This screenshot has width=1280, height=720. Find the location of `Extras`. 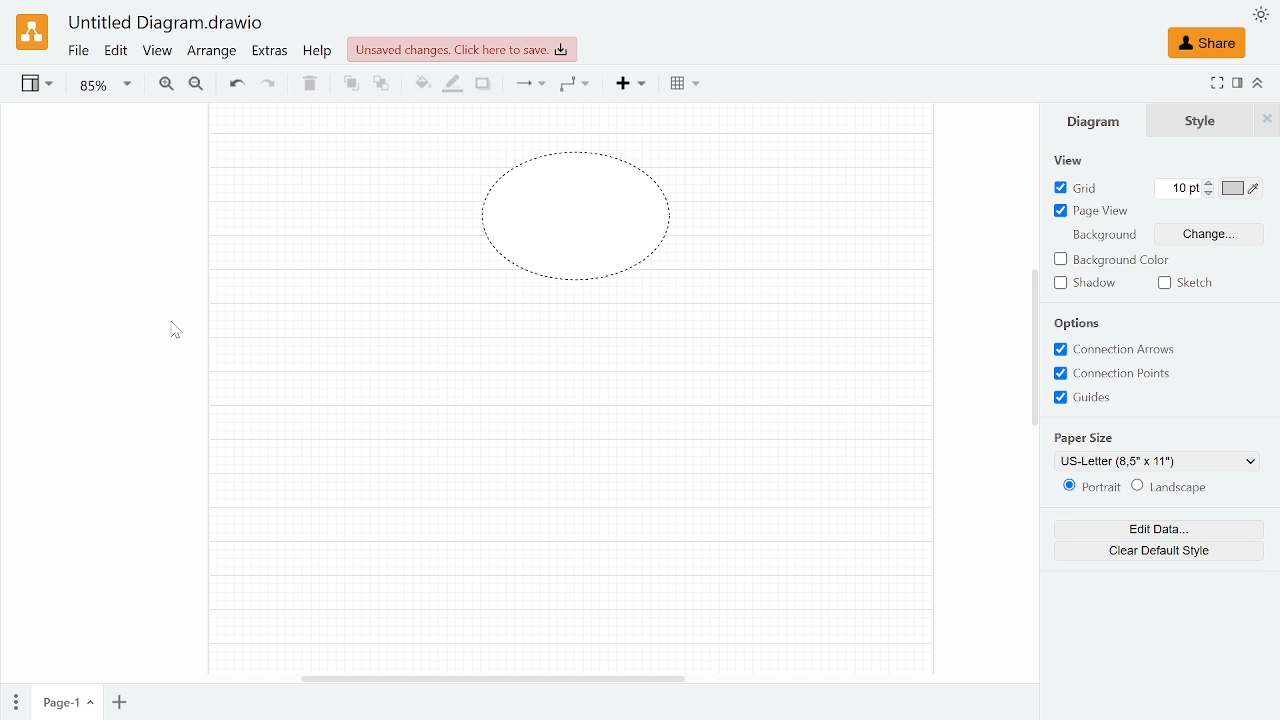

Extras is located at coordinates (270, 52).